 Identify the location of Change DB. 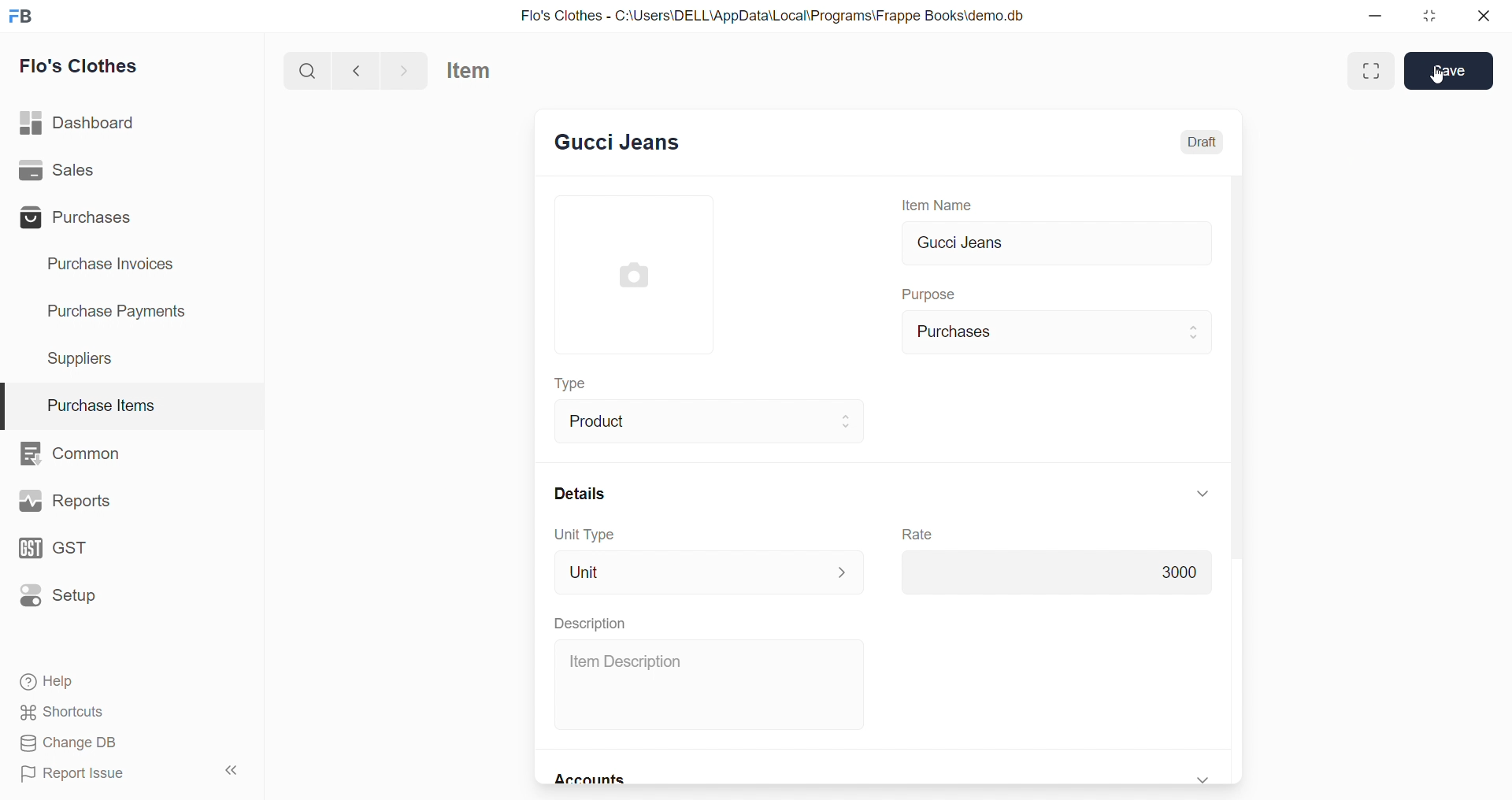
(124, 743).